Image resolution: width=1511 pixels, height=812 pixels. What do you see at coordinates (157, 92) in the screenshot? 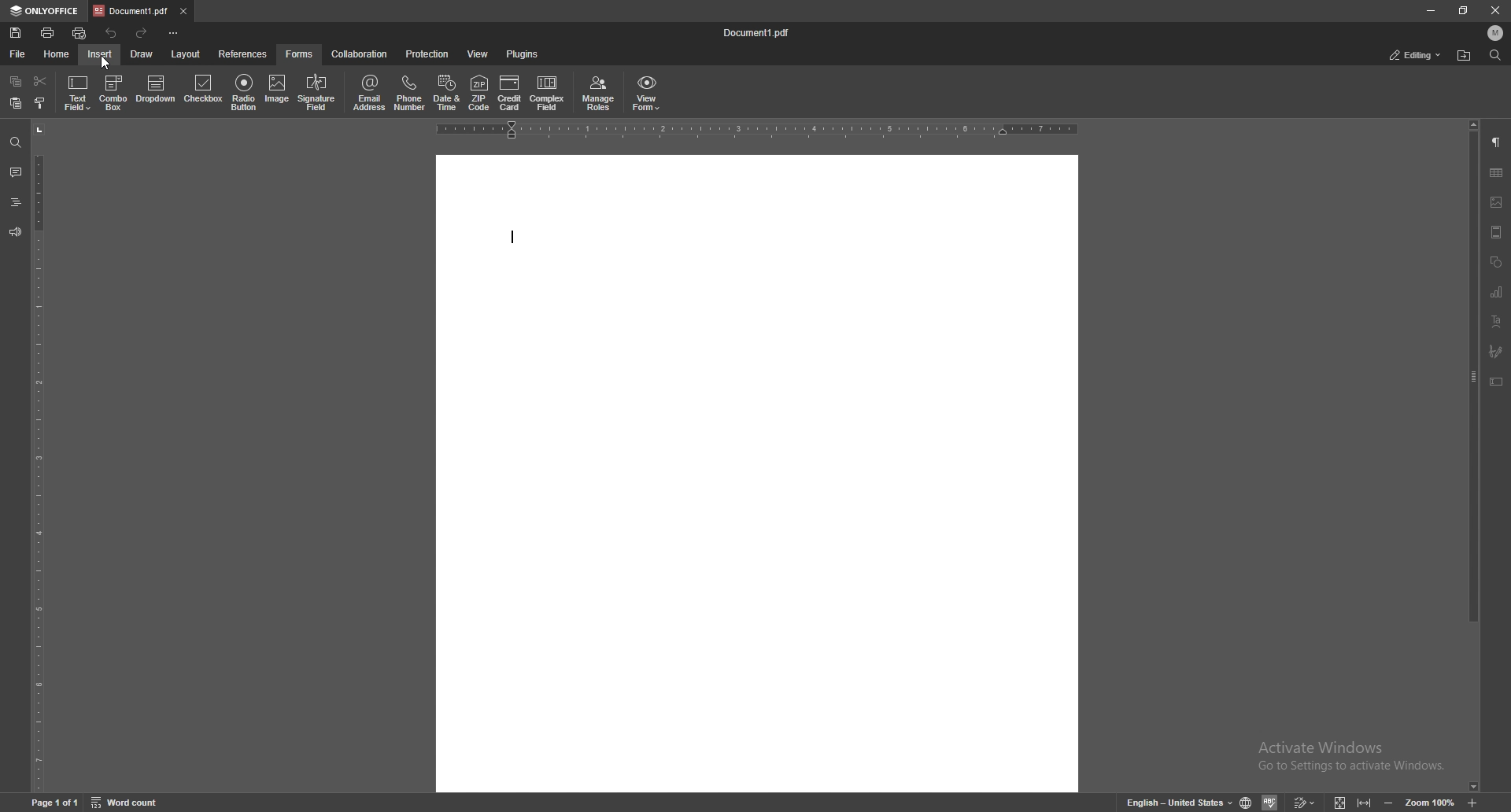
I see `dropdown` at bounding box center [157, 92].